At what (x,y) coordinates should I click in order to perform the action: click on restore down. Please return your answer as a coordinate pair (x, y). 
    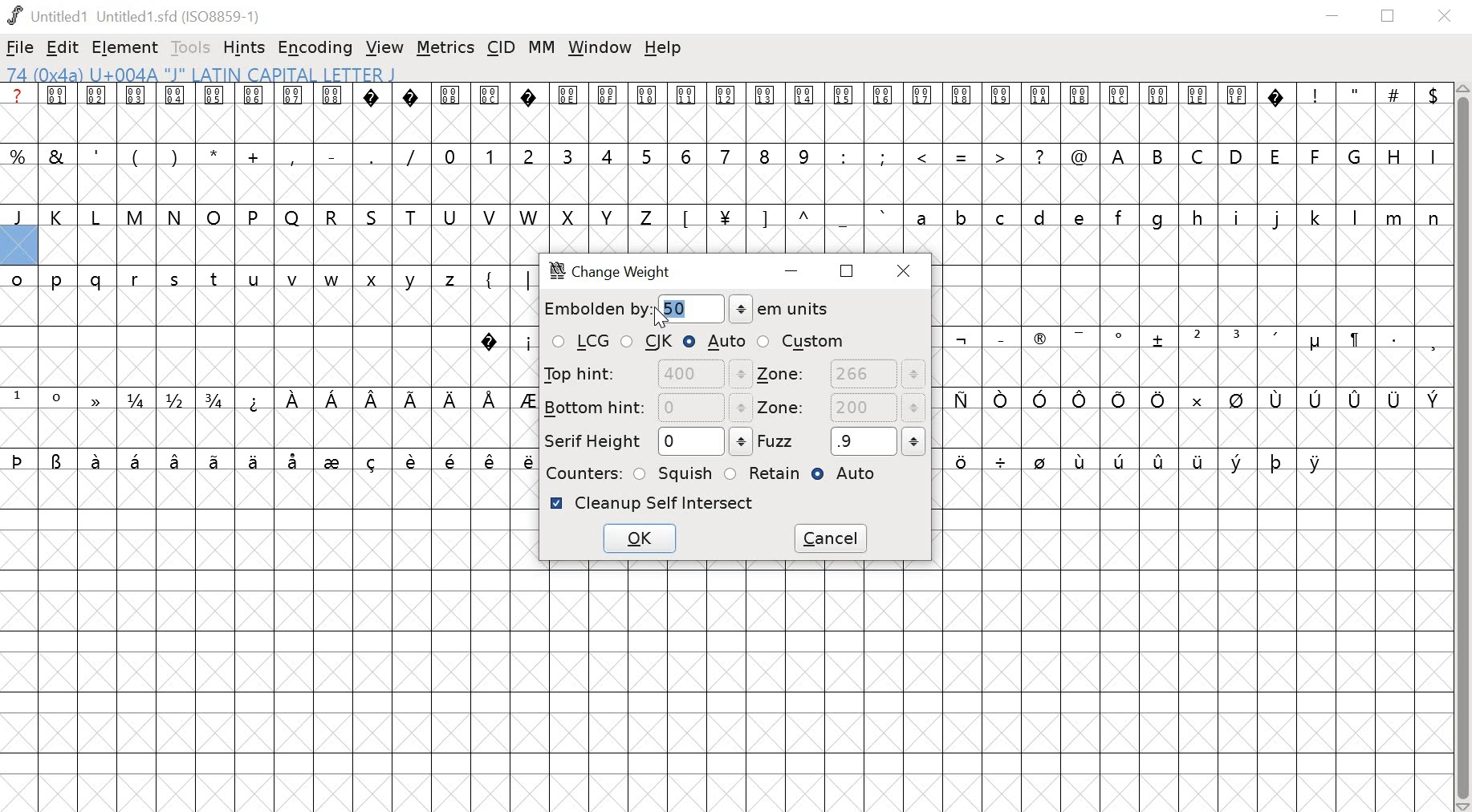
    Looking at the image, I should click on (848, 270).